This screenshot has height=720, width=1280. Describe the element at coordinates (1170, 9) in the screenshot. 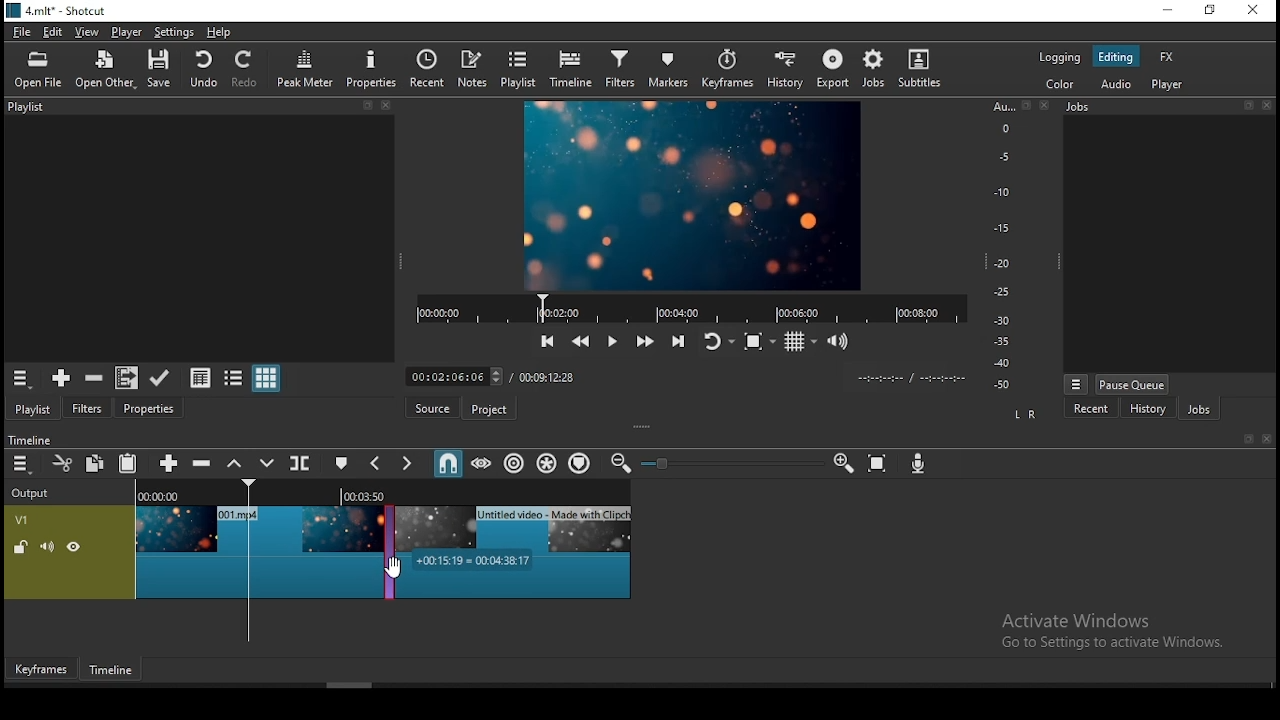

I see `minimize` at that location.